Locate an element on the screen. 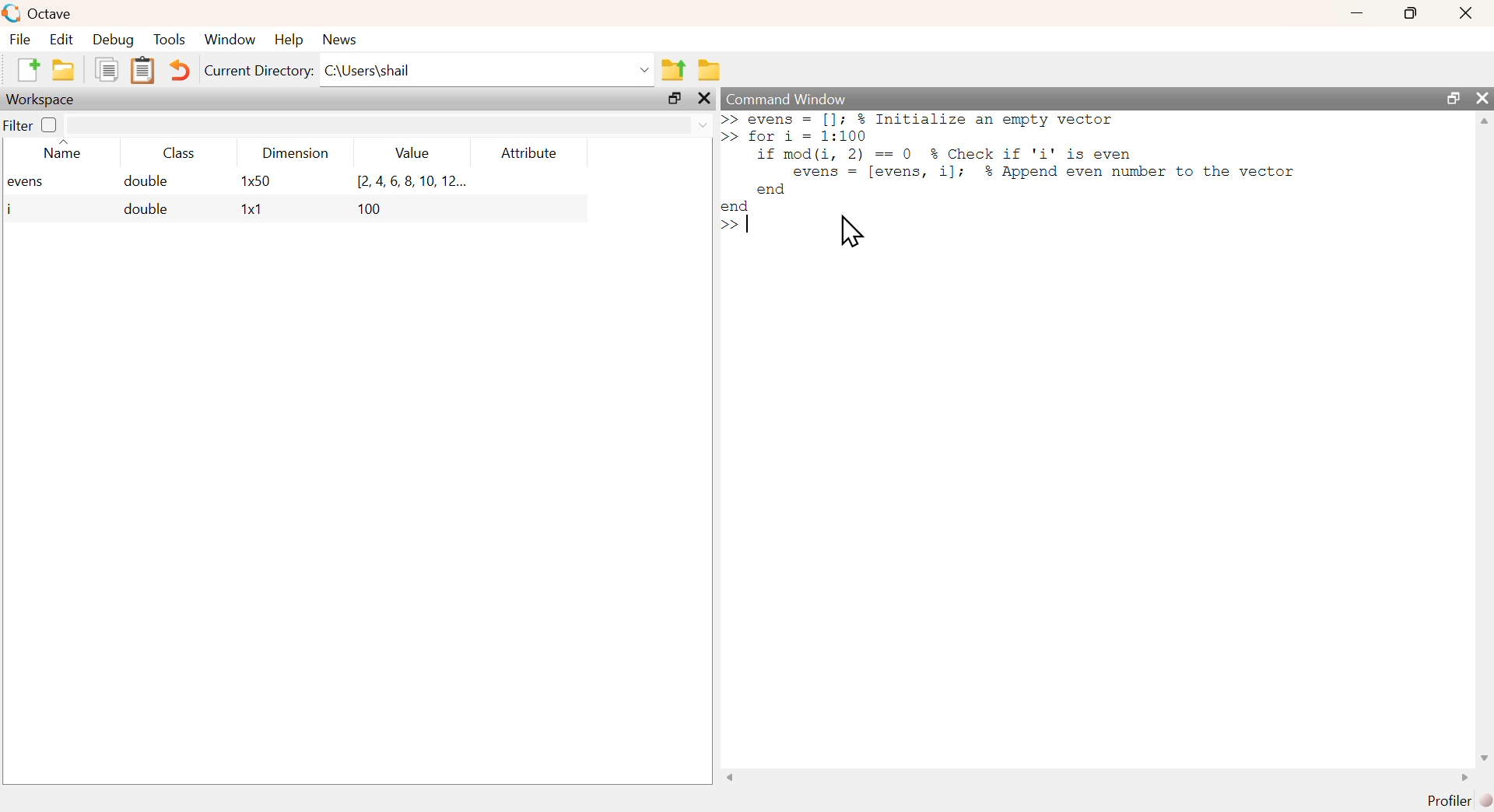 Image resolution: width=1494 pixels, height=812 pixels. debug is located at coordinates (116, 40).